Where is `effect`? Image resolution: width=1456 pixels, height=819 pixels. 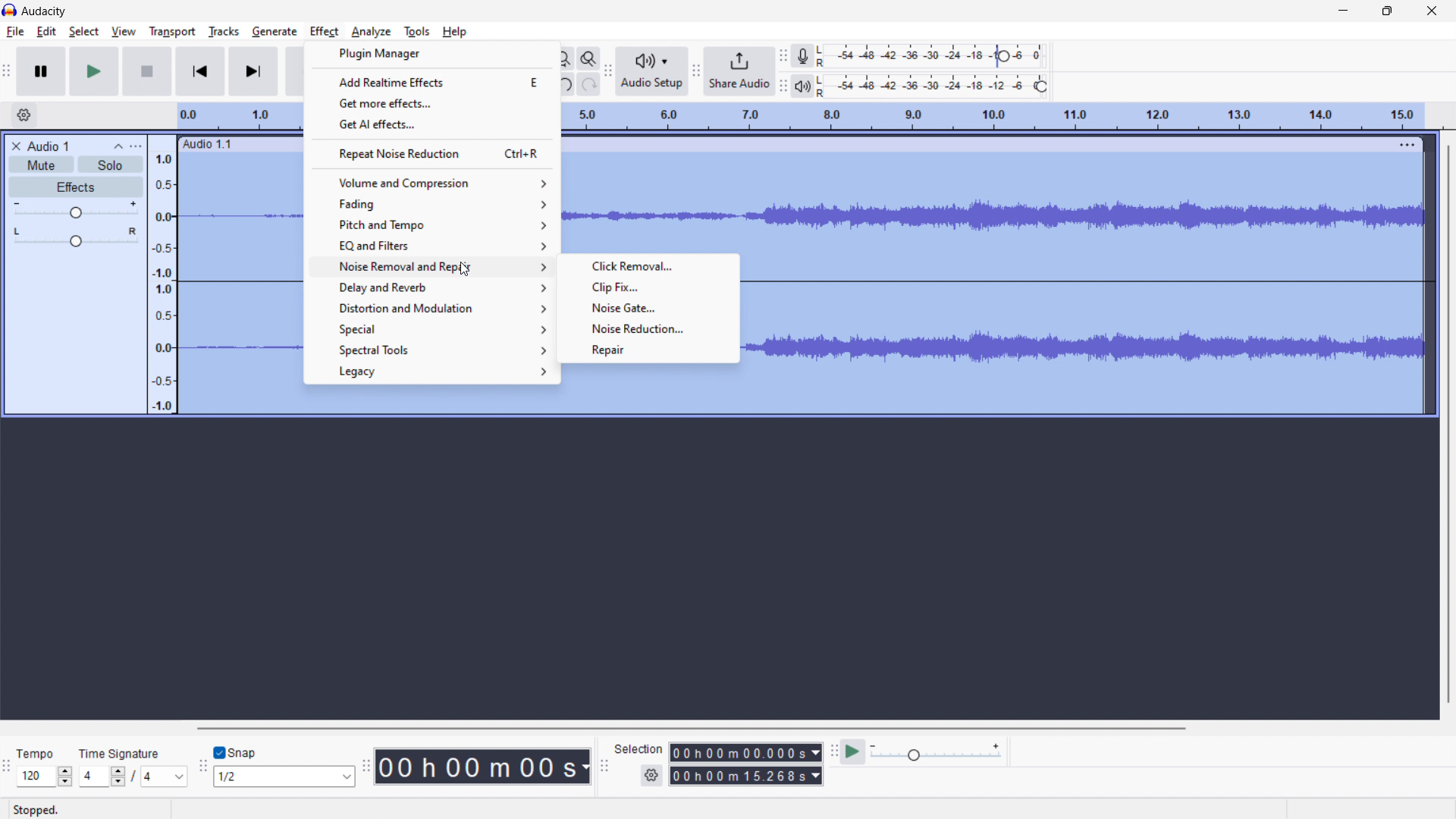
effect is located at coordinates (325, 32).